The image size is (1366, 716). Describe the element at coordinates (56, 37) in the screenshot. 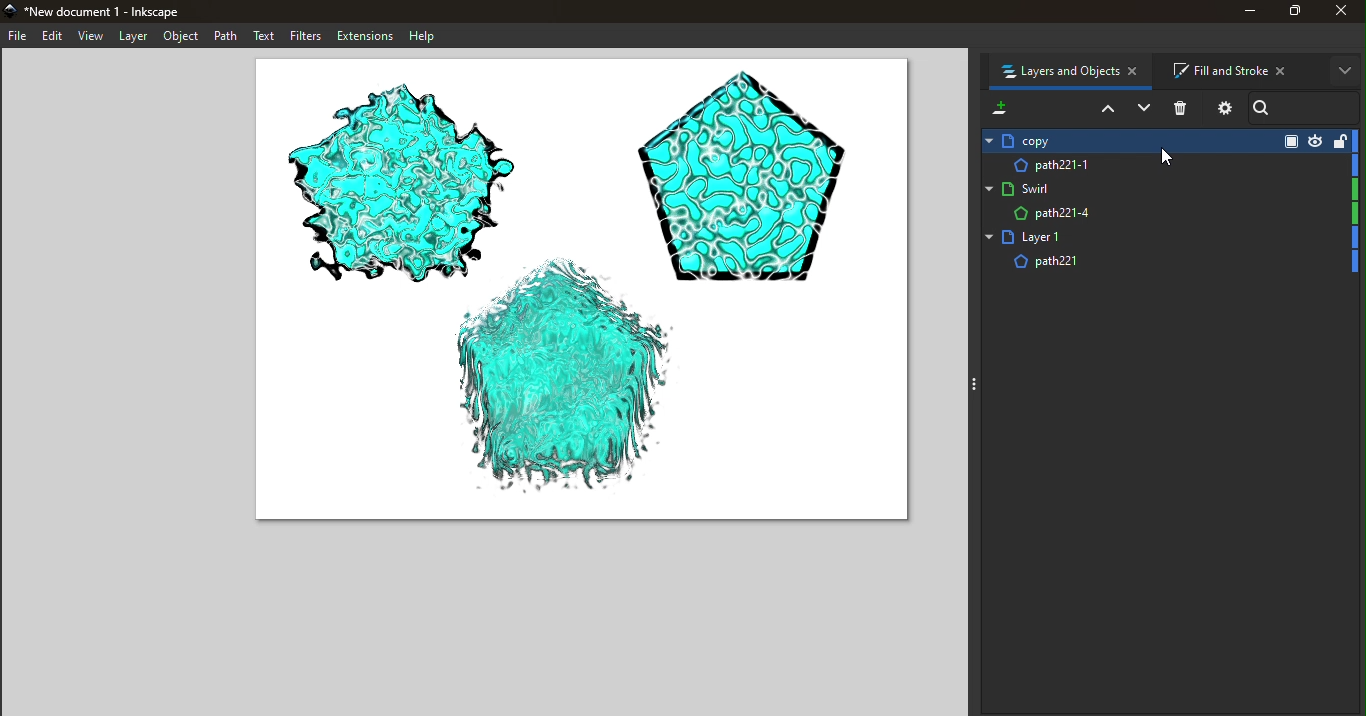

I see `Edit` at that location.